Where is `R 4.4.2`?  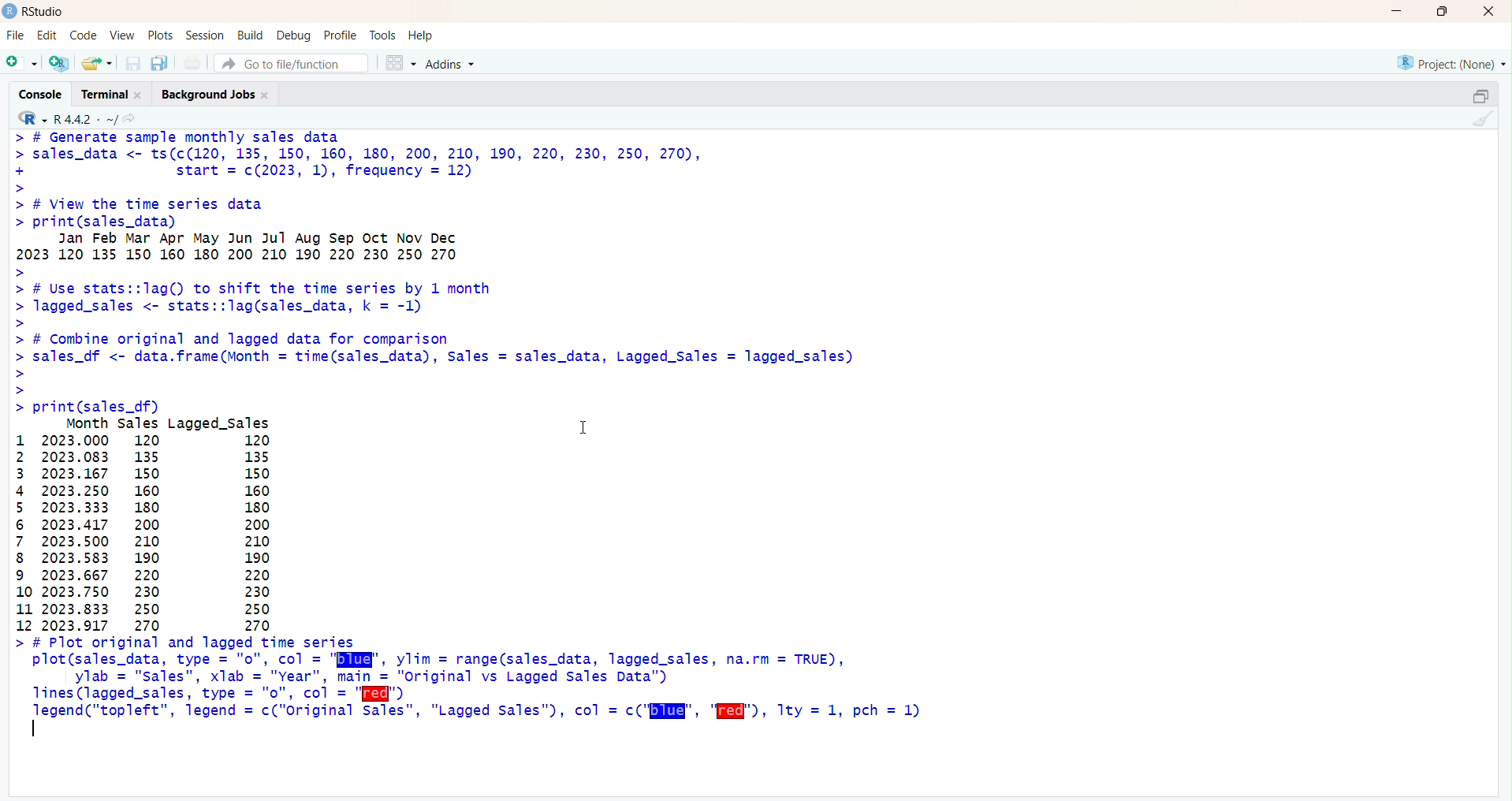 R 4.4.2 is located at coordinates (68, 119).